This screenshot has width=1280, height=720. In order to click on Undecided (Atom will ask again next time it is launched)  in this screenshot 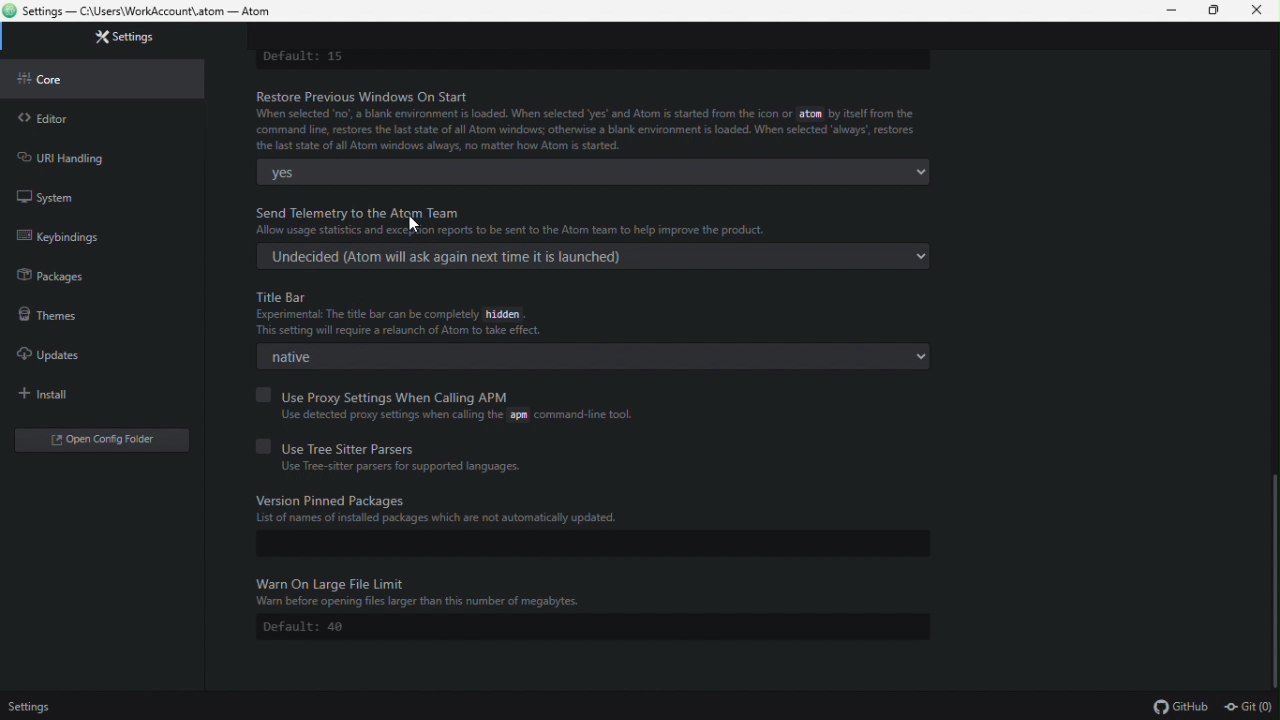, I will do `click(595, 258)`.